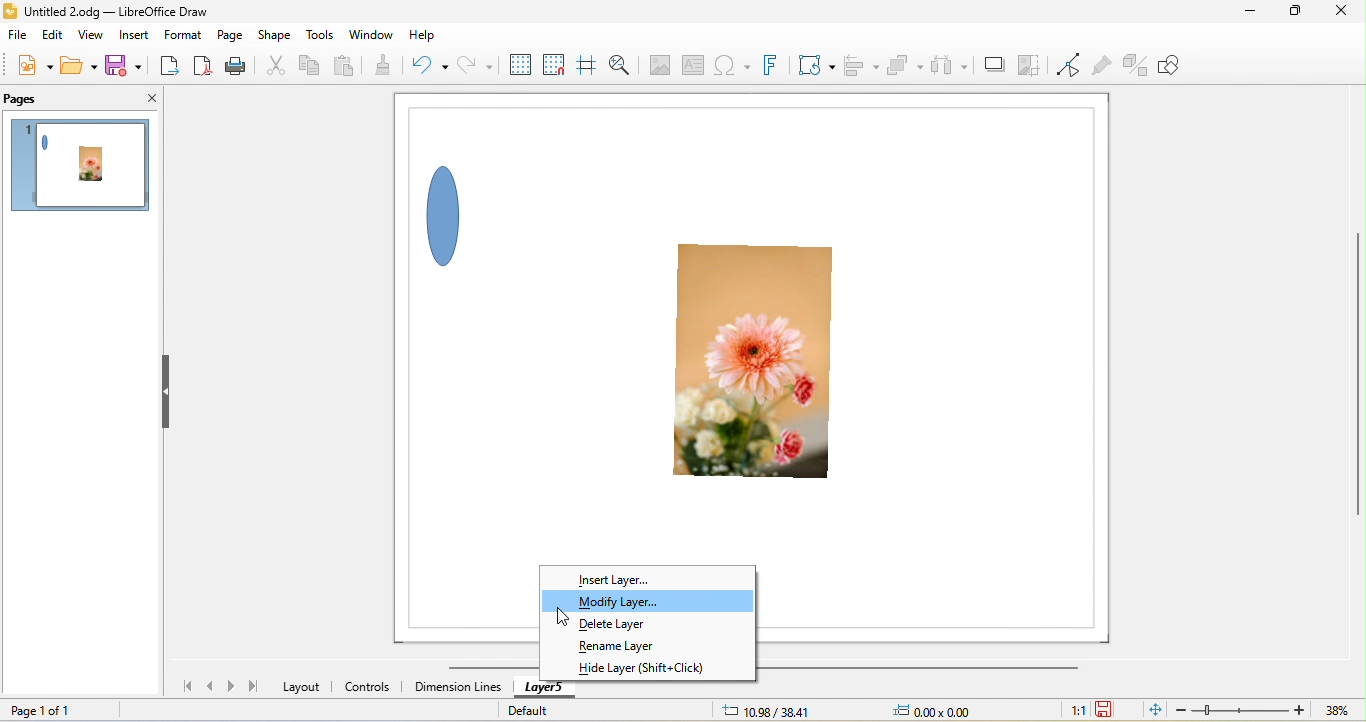  What do you see at coordinates (370, 35) in the screenshot?
I see `window` at bounding box center [370, 35].